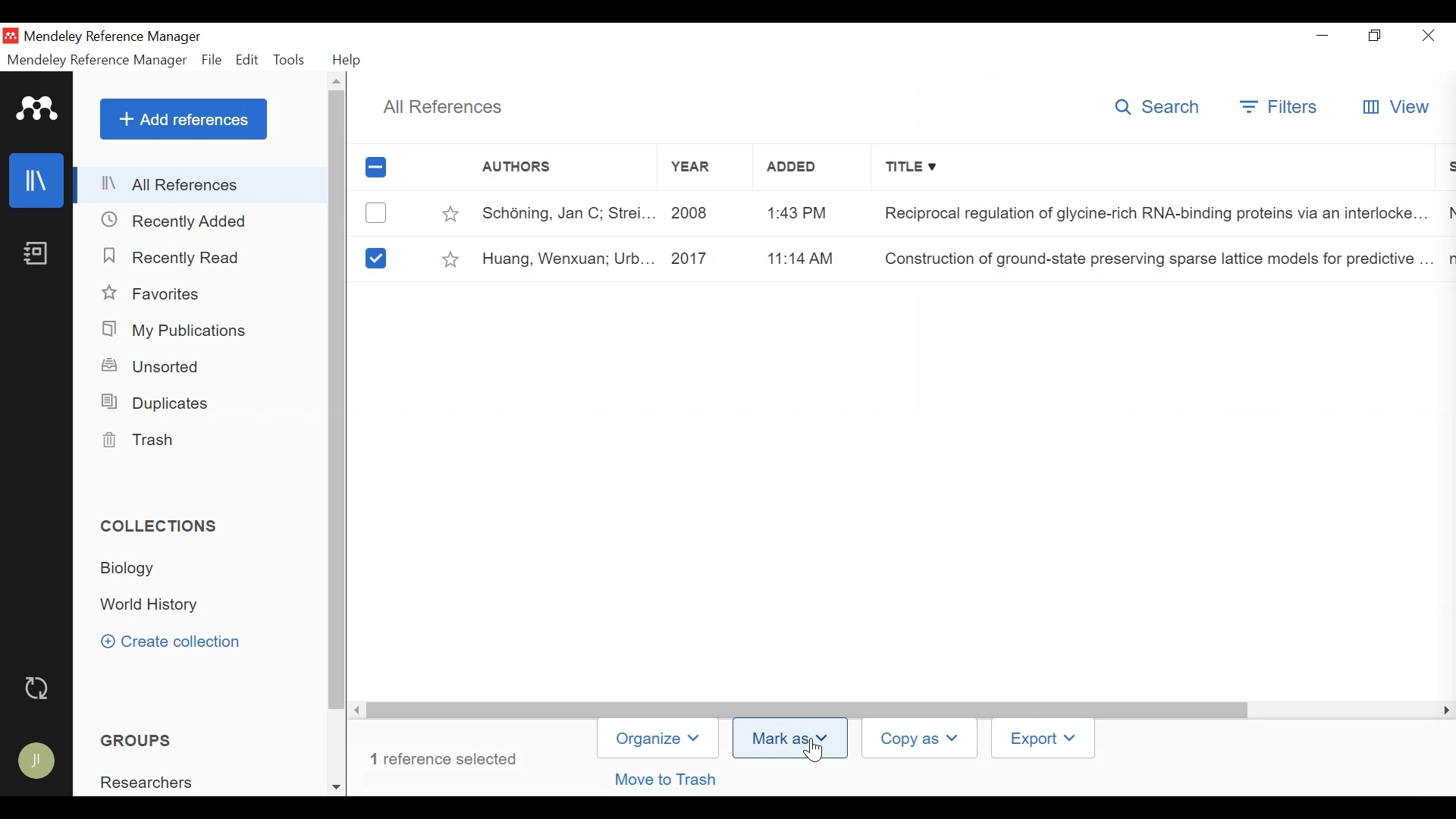  I want to click on Mendeley Logo, so click(39, 111).